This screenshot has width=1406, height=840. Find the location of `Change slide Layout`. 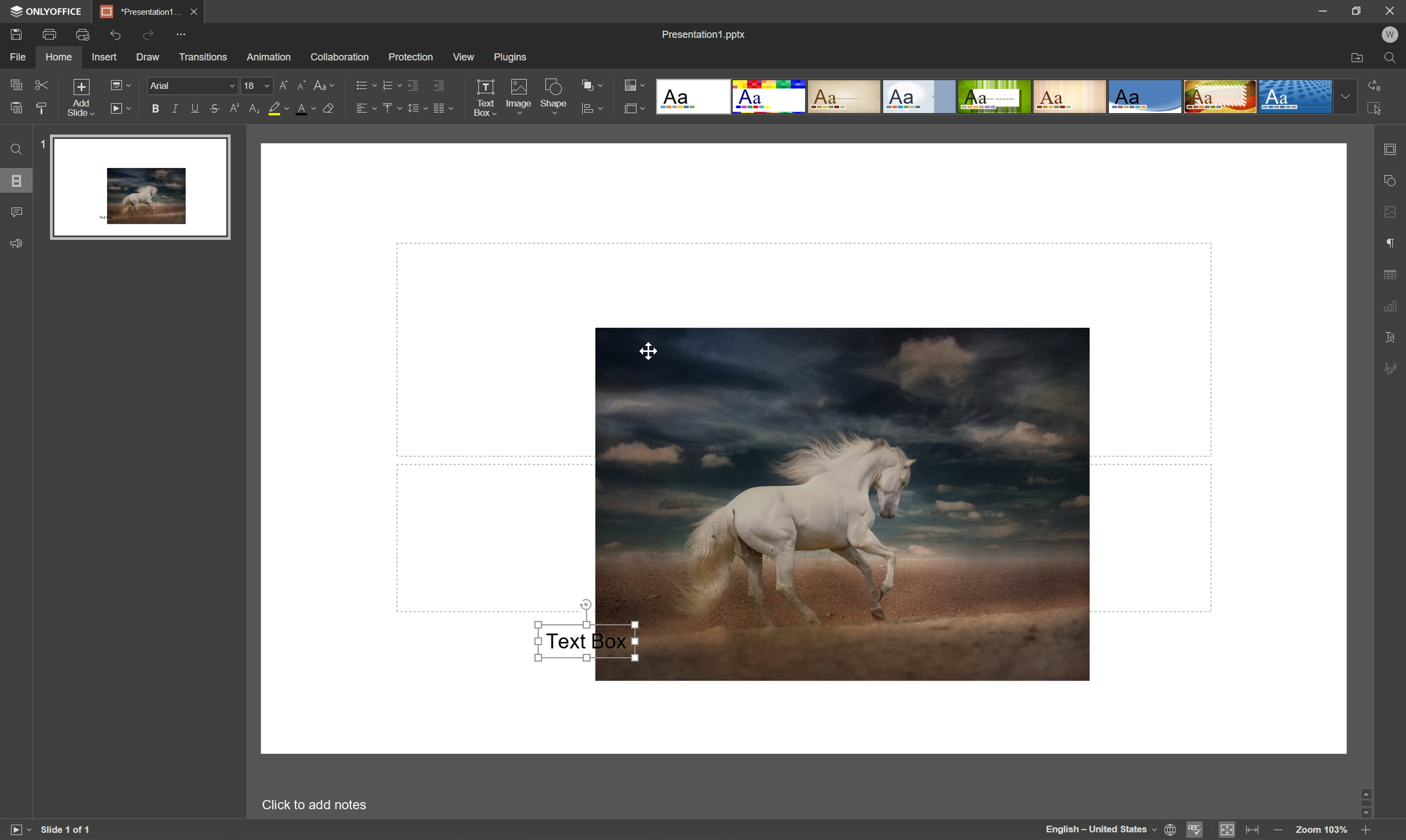

Change slide Layout is located at coordinates (119, 87).